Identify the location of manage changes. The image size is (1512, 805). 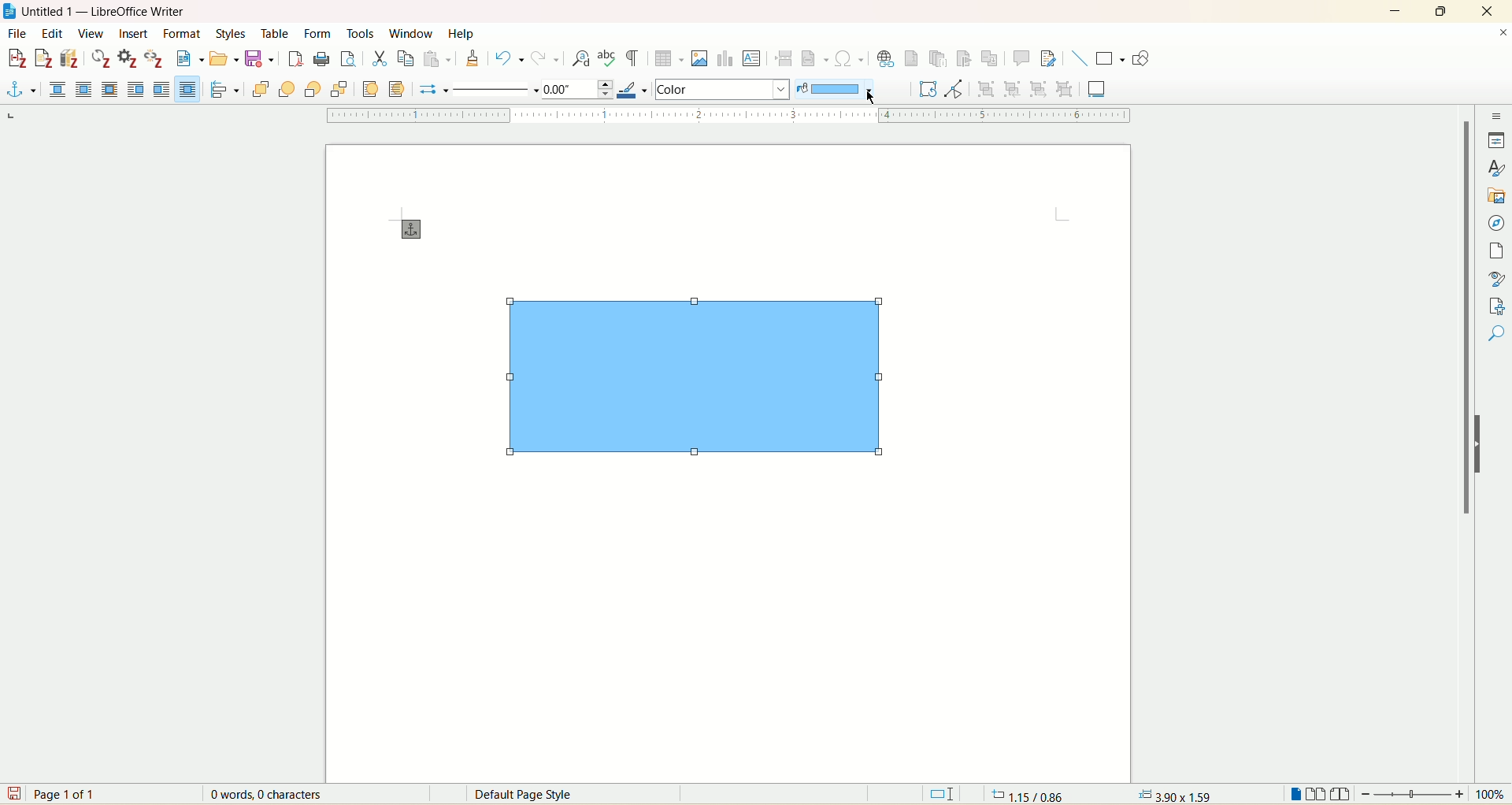
(1499, 307).